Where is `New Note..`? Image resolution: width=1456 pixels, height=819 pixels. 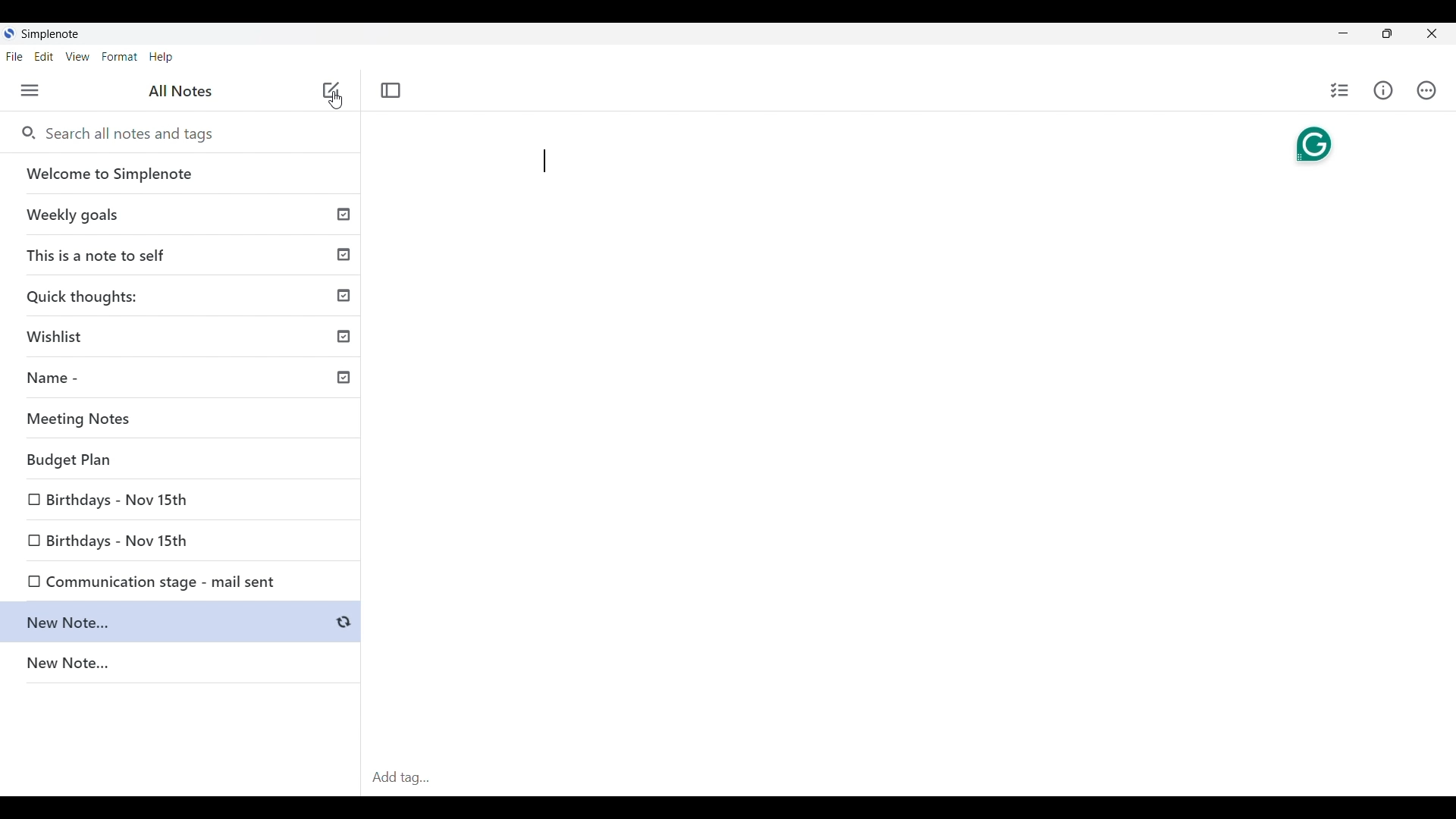
New Note.. is located at coordinates (166, 623).